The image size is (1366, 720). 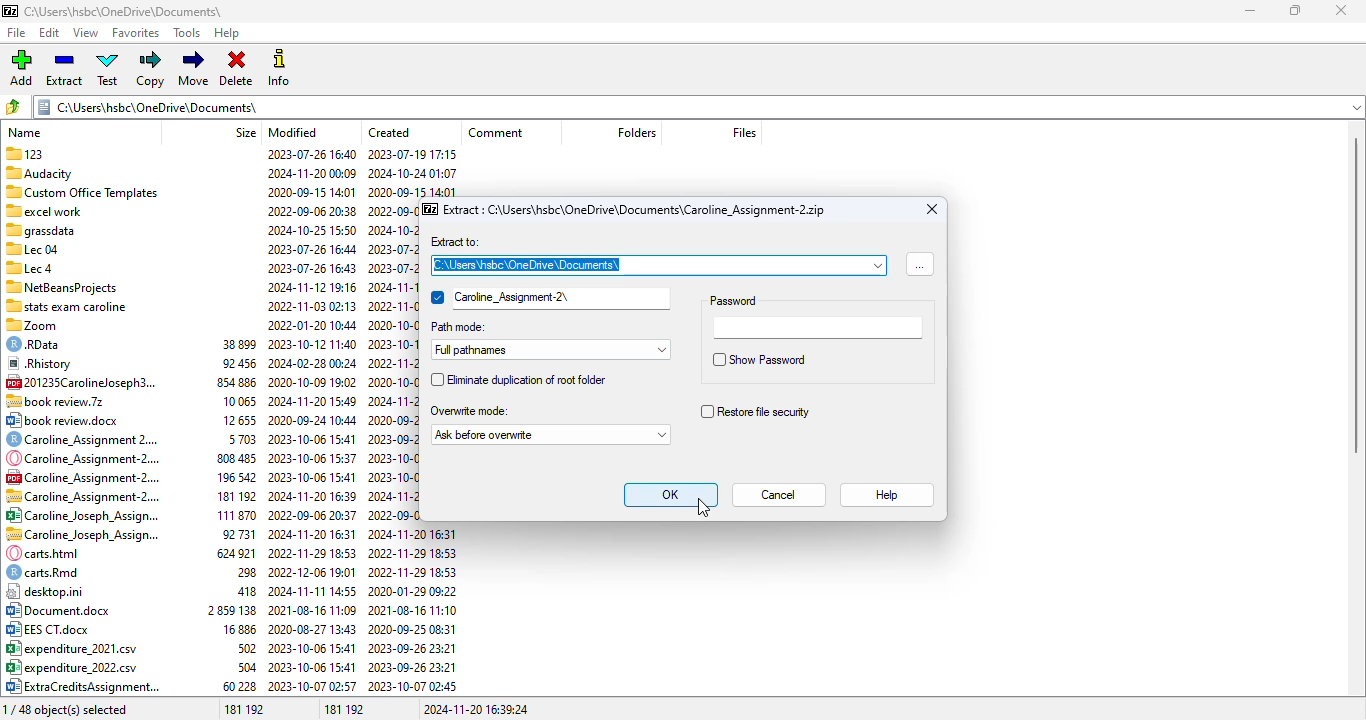 What do you see at coordinates (237, 69) in the screenshot?
I see `delete` at bounding box center [237, 69].